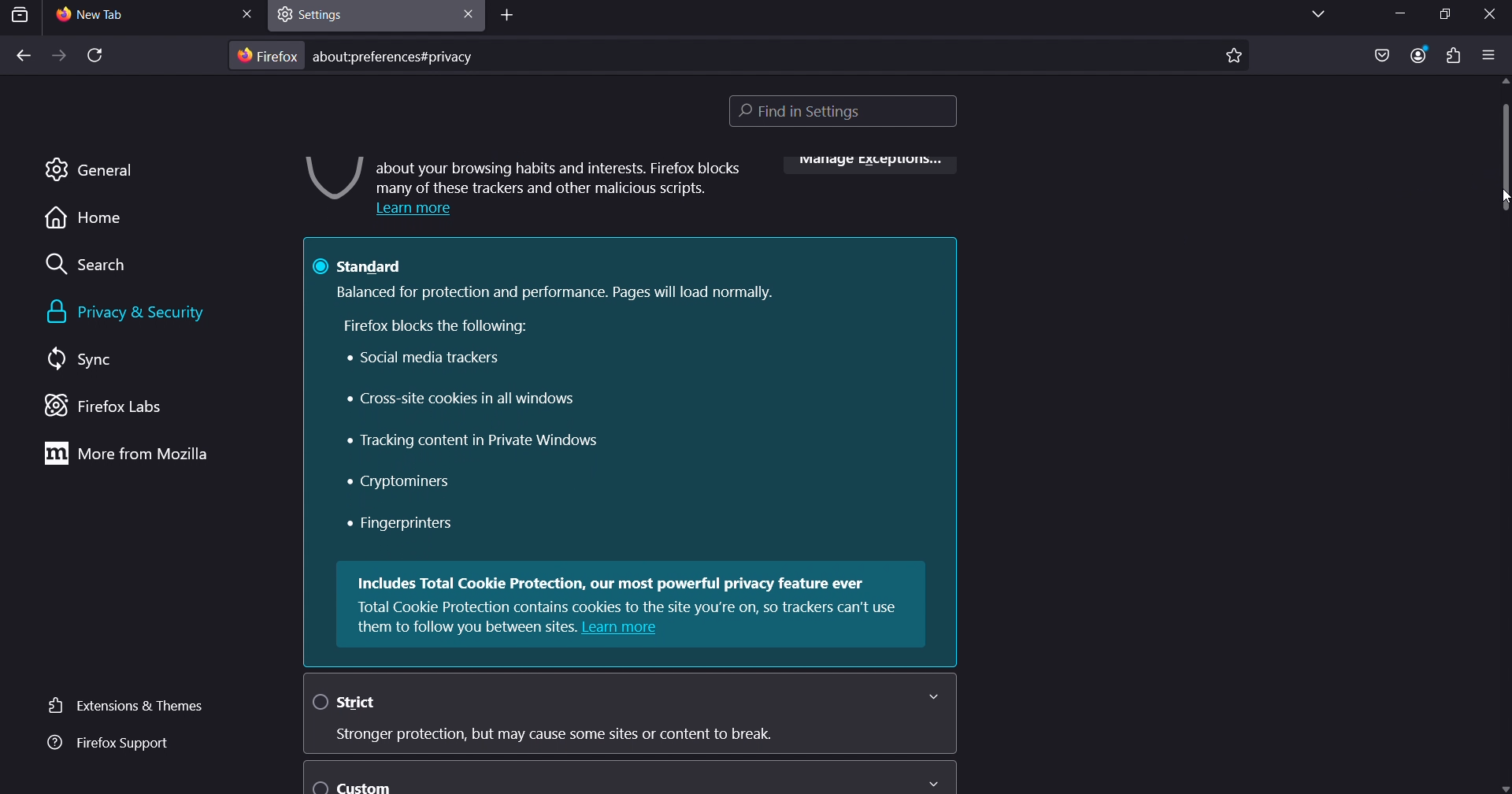  I want to click on @ standard
Balanced for protection and performance. Pages will load normally.
Firefox blocks the following:
Social media trackers
 Cross-site cookies in all windows
« Tracking content in Private Windows
« Cryptominers
« Fingerprinters, so click(624, 392).